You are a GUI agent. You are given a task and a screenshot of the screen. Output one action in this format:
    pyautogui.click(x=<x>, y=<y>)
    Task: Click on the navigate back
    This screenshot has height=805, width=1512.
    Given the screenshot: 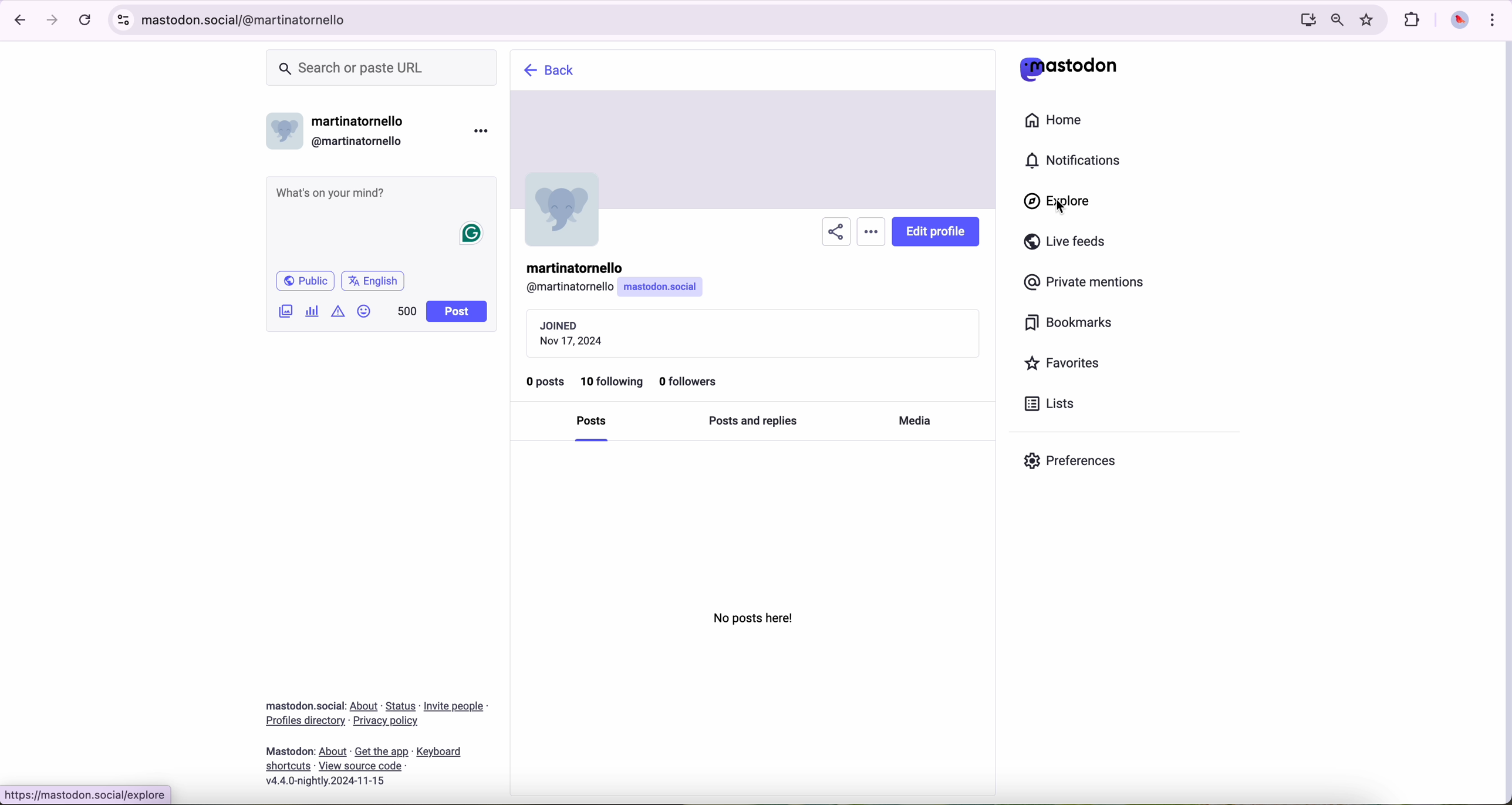 What is the action you would take?
    pyautogui.click(x=18, y=21)
    